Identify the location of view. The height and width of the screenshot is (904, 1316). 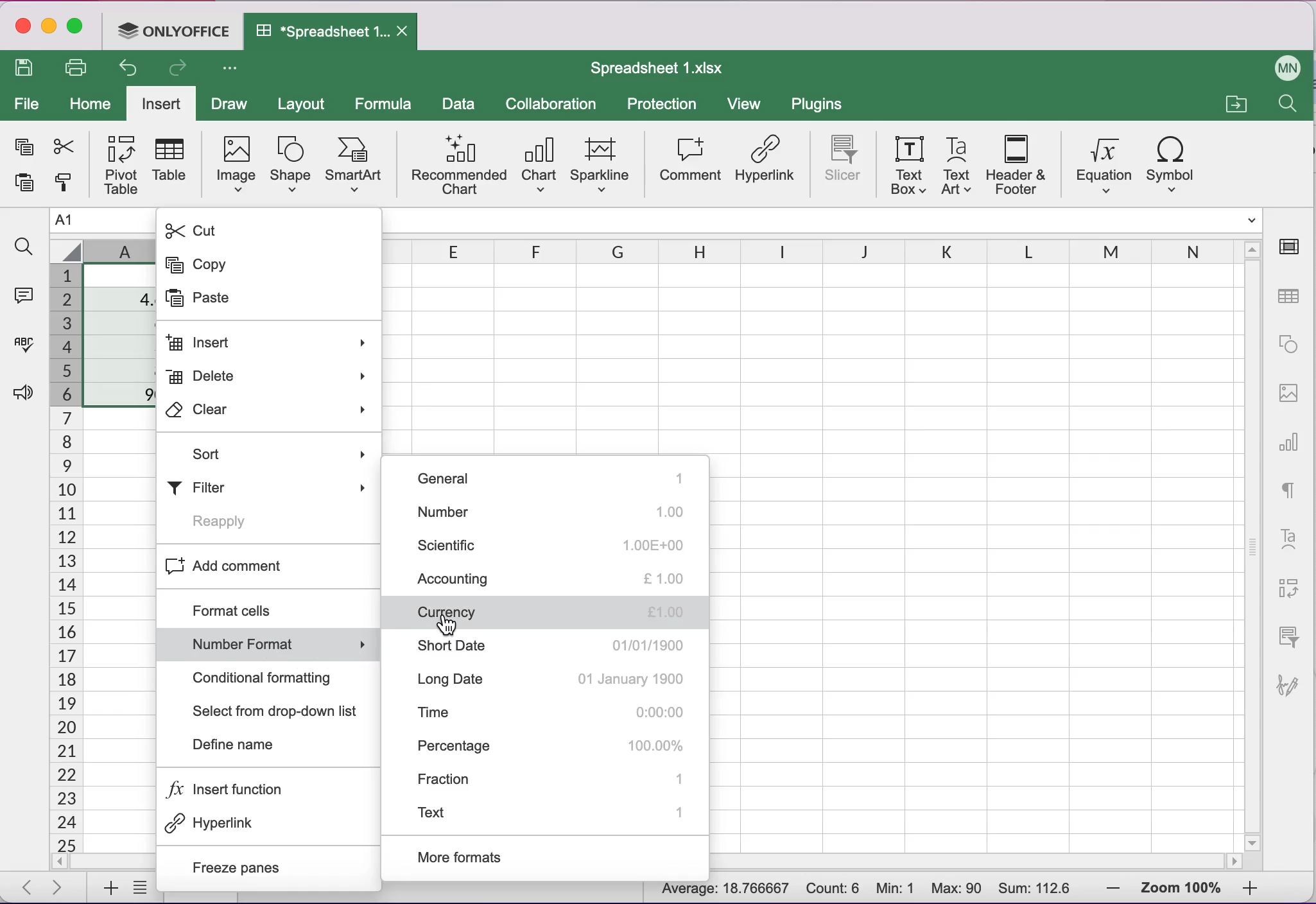
(745, 103).